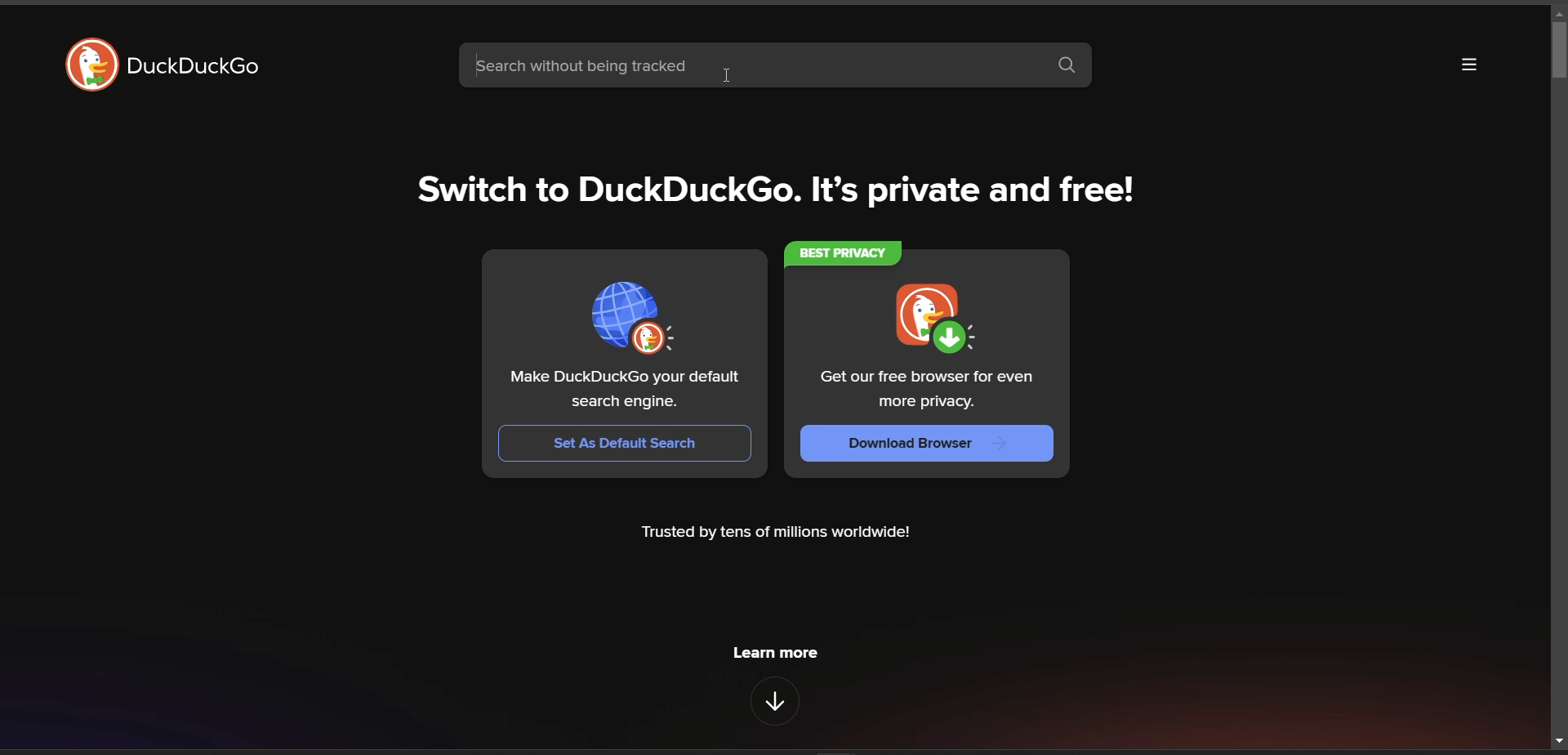 Image resolution: width=1568 pixels, height=755 pixels. What do you see at coordinates (775, 702) in the screenshot?
I see `features` at bounding box center [775, 702].